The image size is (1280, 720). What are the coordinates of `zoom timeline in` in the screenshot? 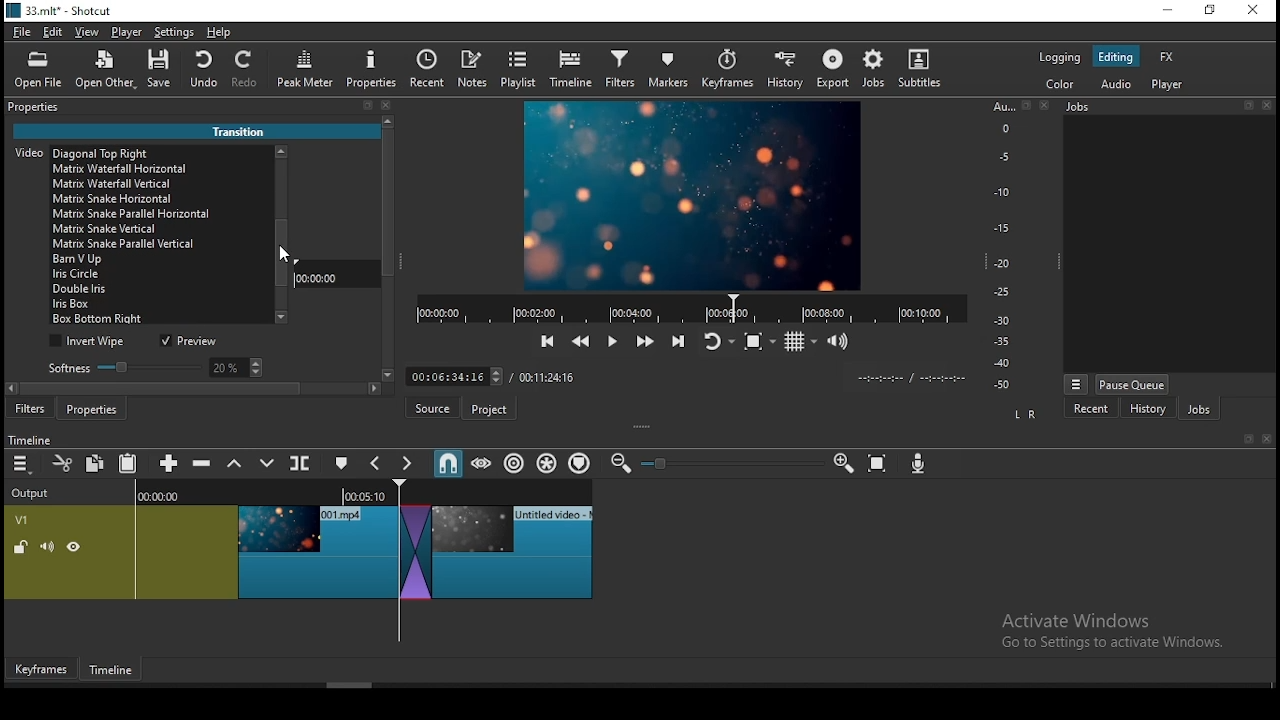 It's located at (843, 464).